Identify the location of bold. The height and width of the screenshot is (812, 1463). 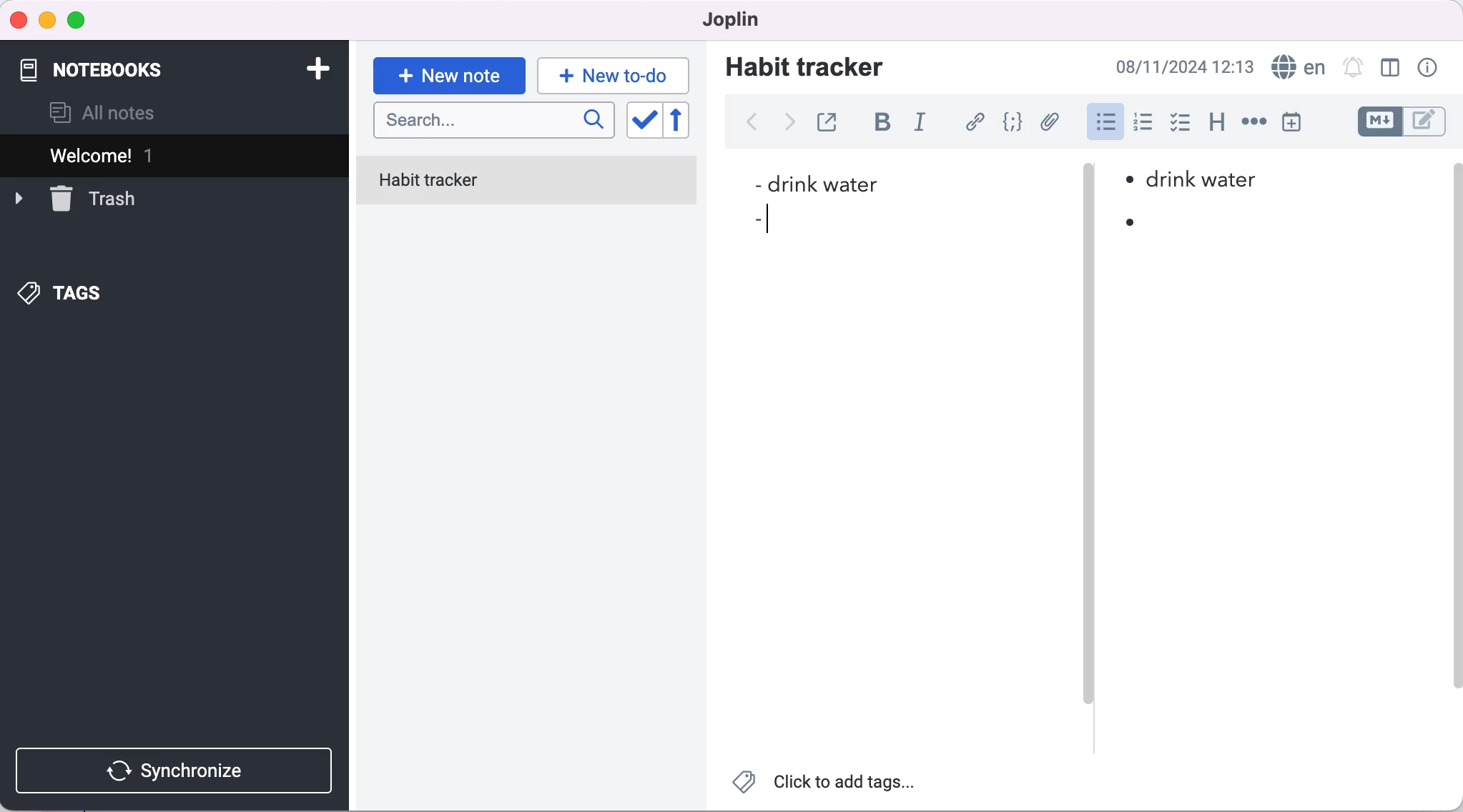
(888, 124).